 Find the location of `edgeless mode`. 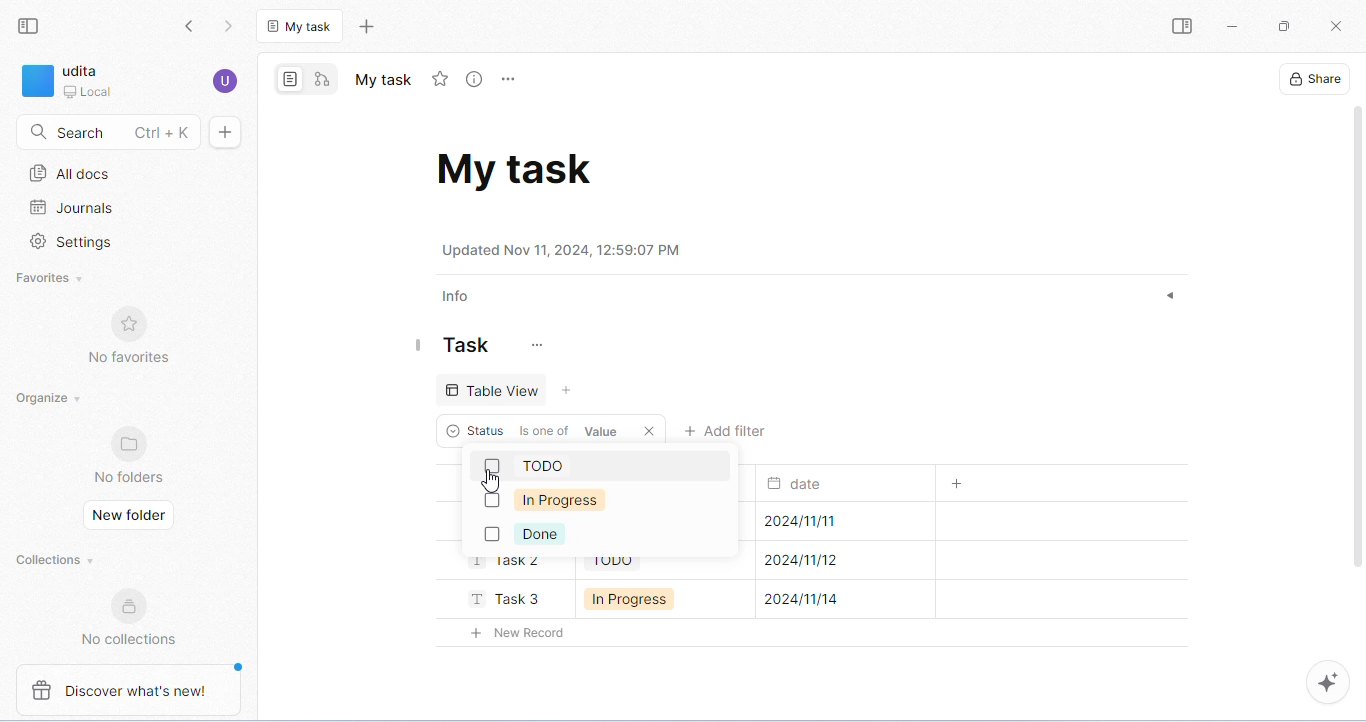

edgeless mode is located at coordinates (321, 79).